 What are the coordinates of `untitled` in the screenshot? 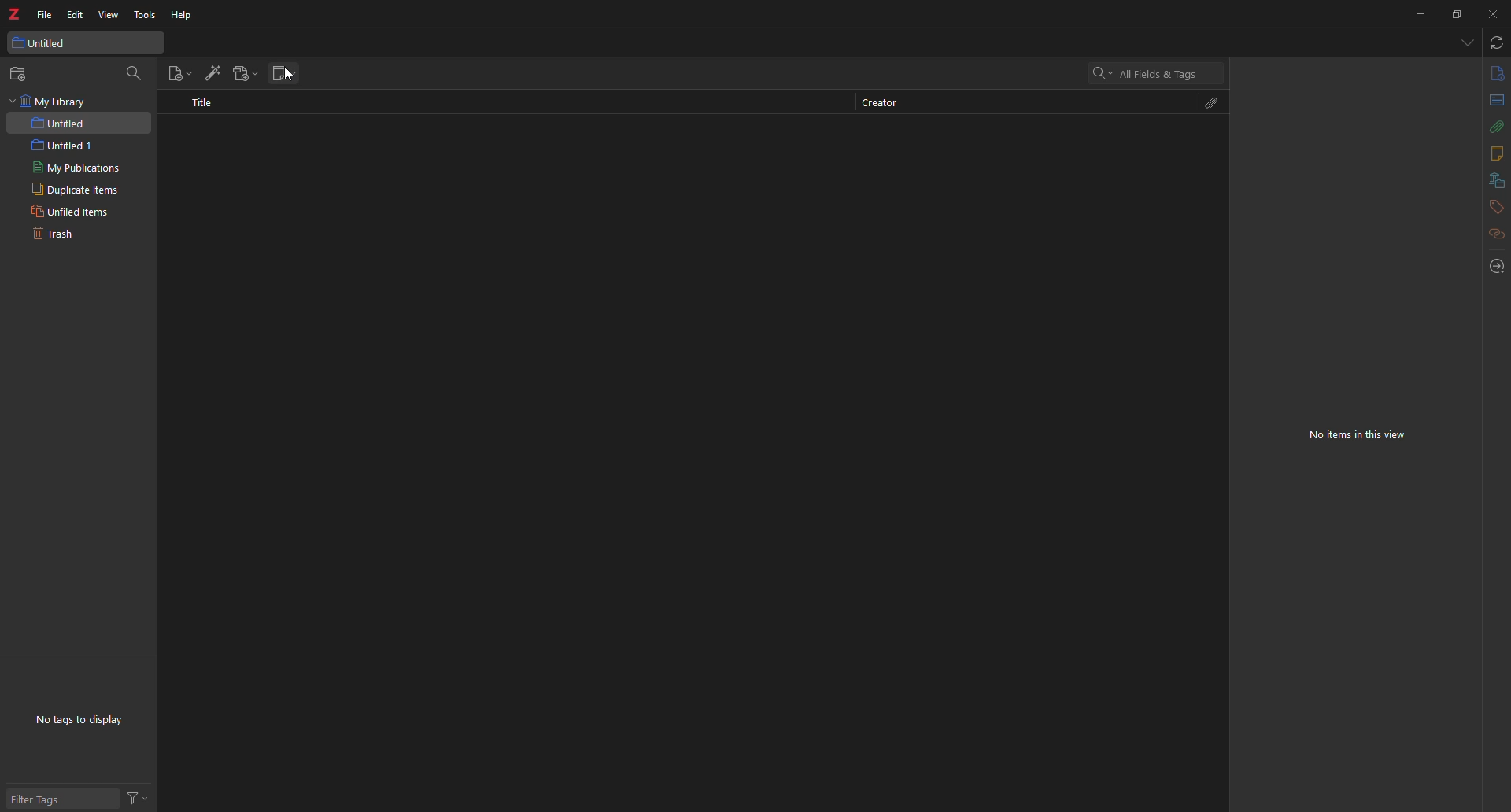 It's located at (45, 42).